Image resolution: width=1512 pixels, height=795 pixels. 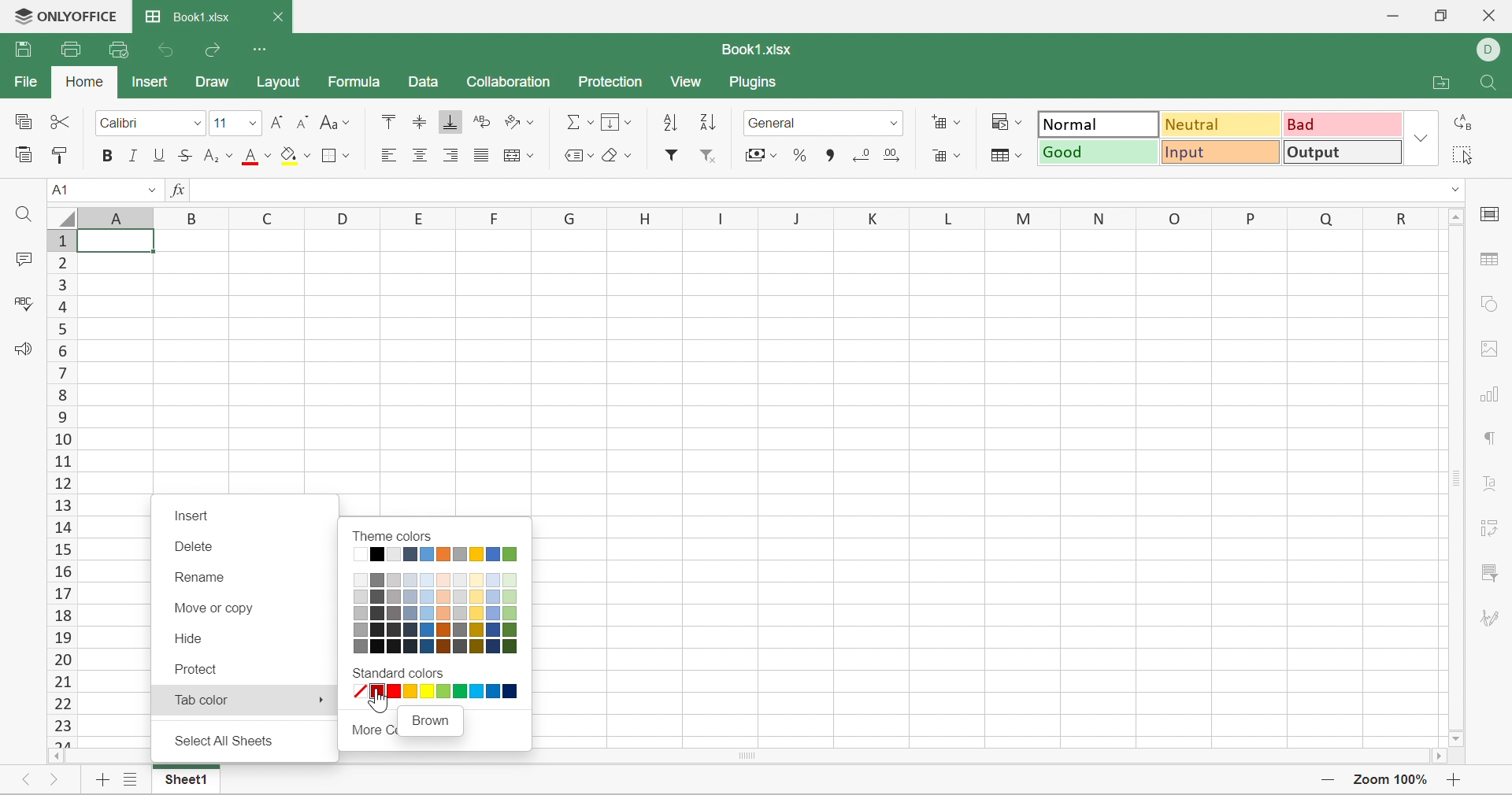 What do you see at coordinates (57, 216) in the screenshot?
I see `Select all rows and columns` at bounding box center [57, 216].